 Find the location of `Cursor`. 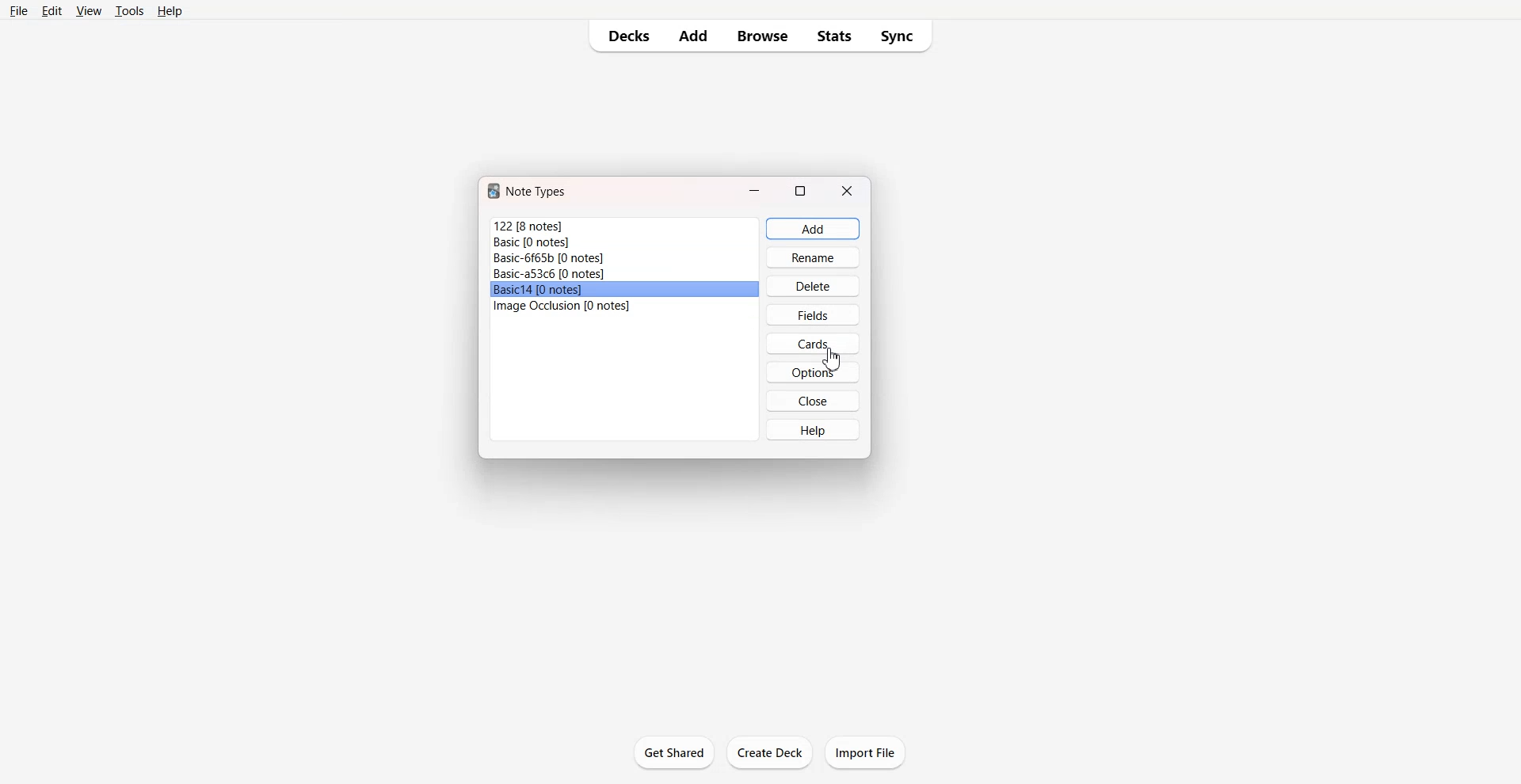

Cursor is located at coordinates (831, 360).